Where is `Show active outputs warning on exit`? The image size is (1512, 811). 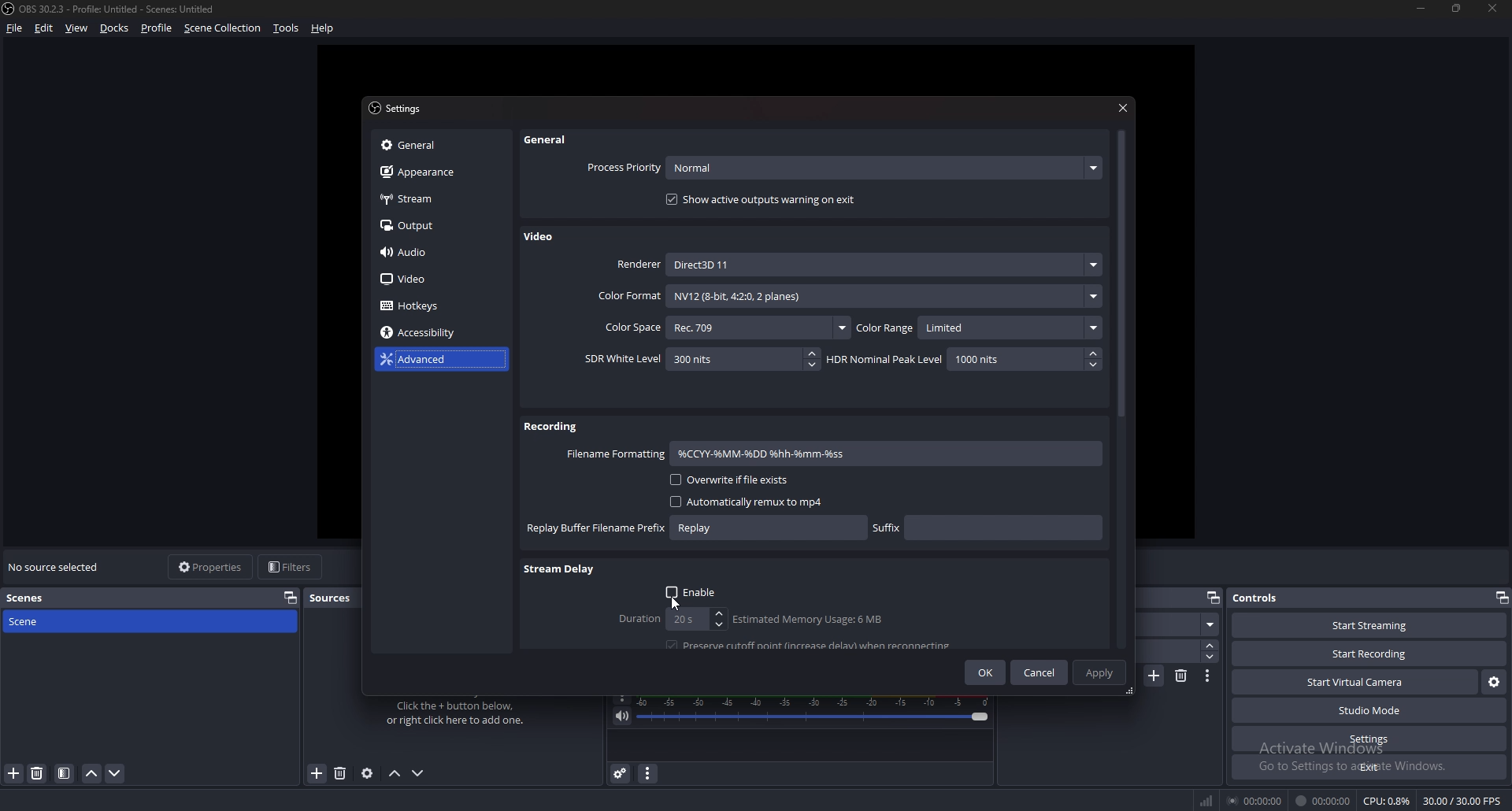 Show active outputs warning on exit is located at coordinates (764, 199).